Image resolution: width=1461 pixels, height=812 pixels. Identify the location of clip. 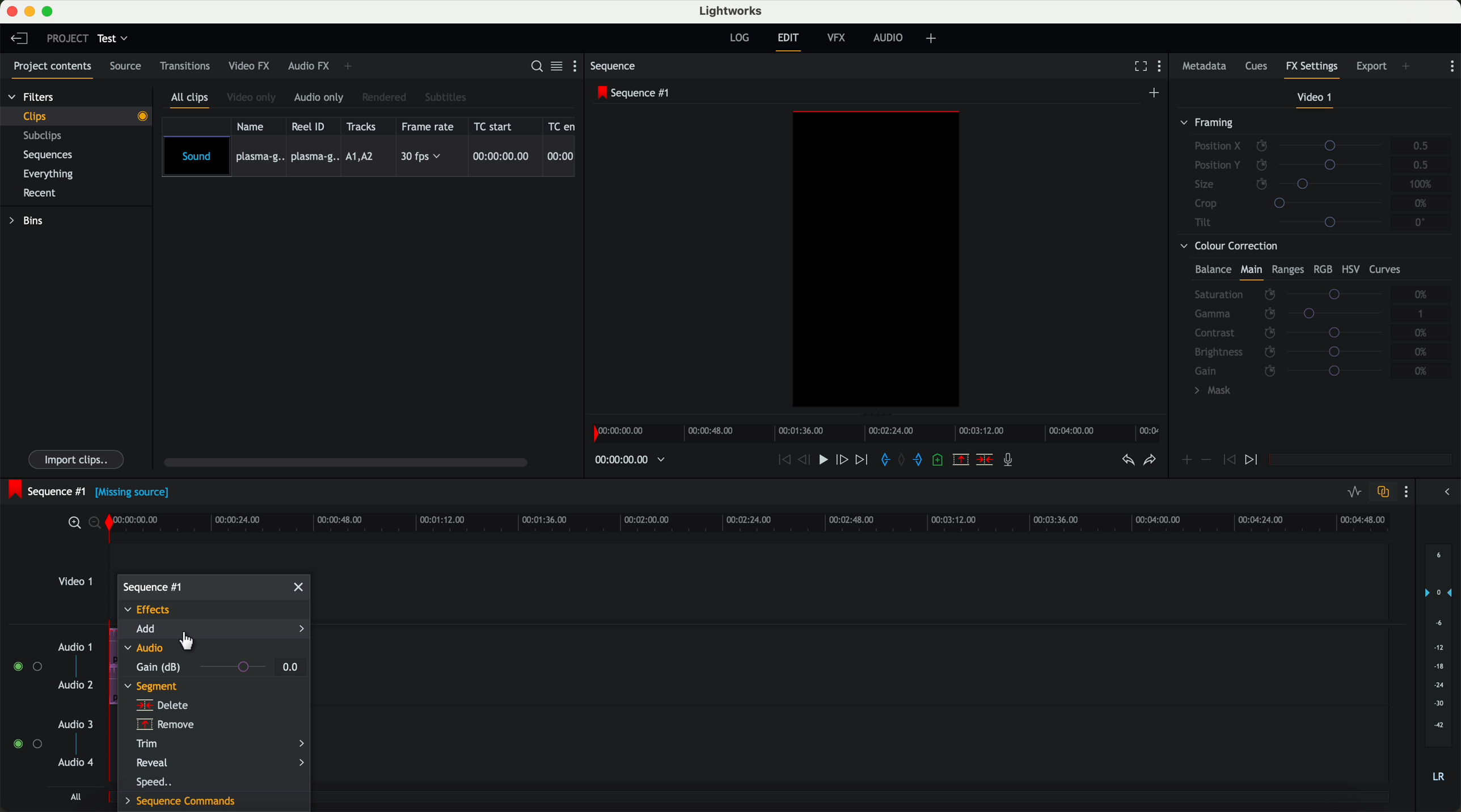
(83, 116).